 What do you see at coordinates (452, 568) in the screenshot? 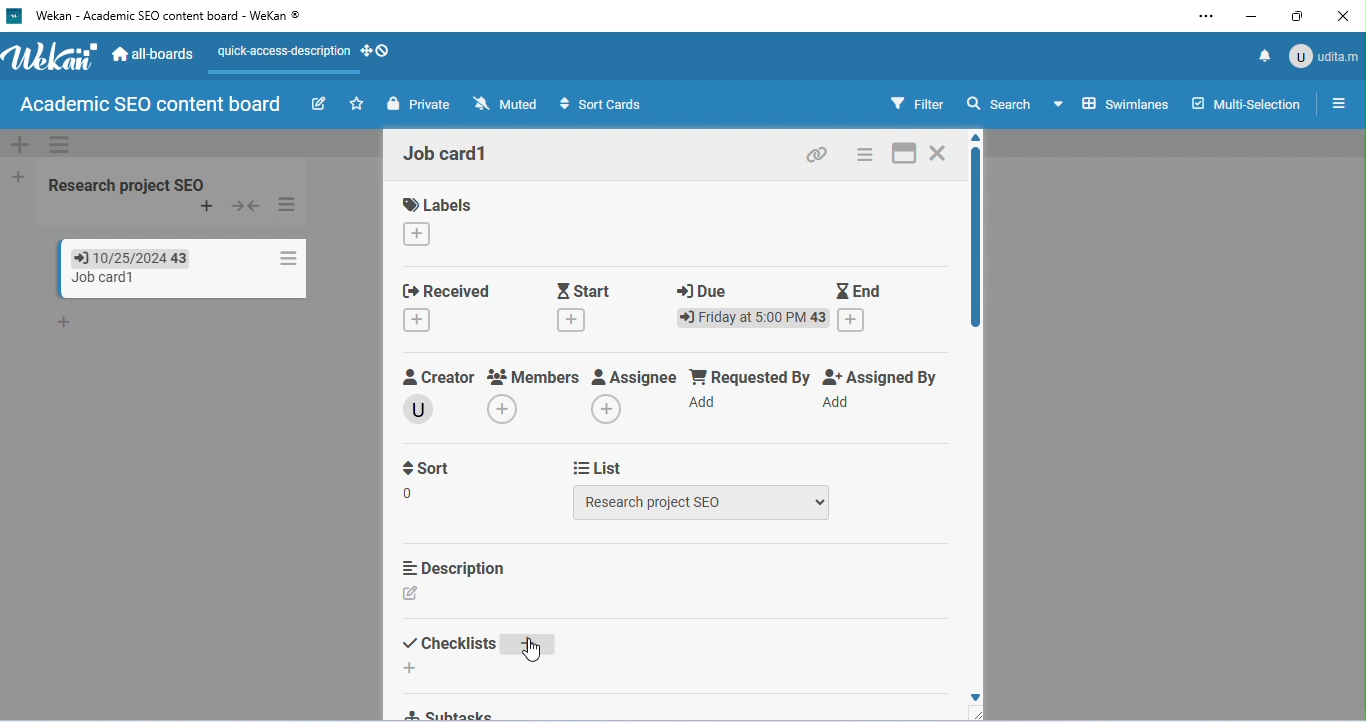
I see `description` at bounding box center [452, 568].